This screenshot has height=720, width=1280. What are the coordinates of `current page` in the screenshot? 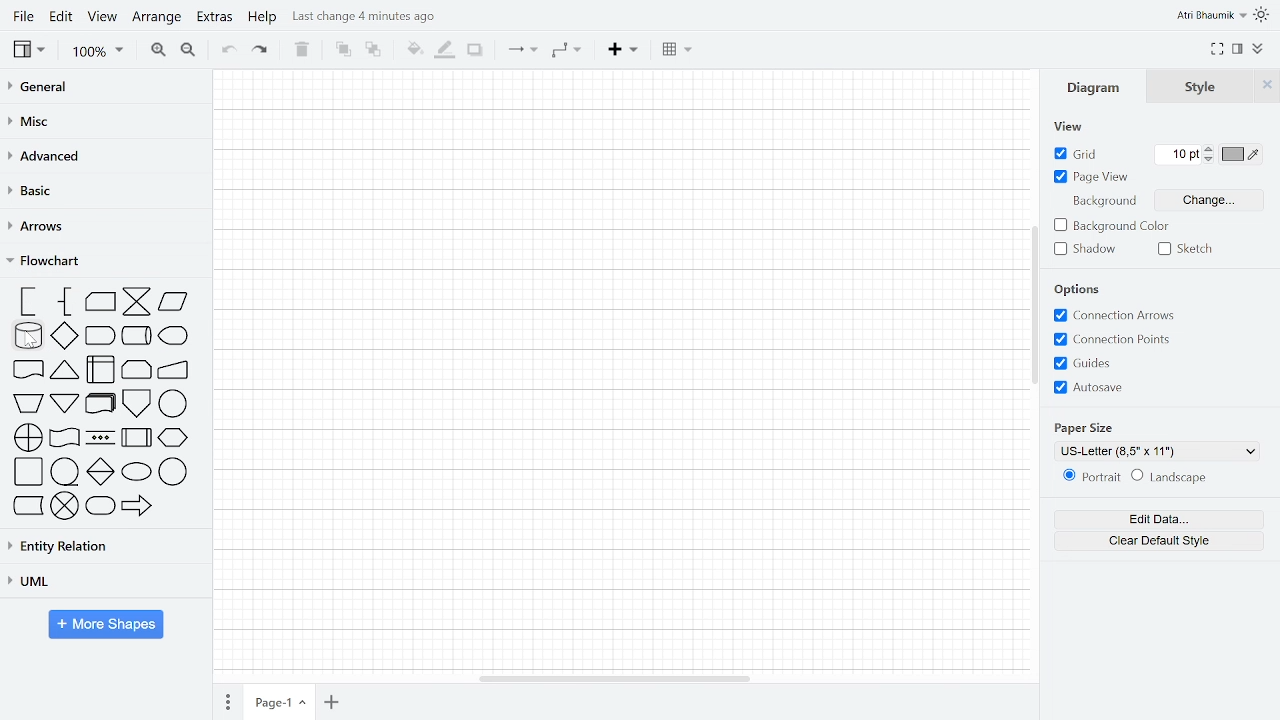 It's located at (282, 701).